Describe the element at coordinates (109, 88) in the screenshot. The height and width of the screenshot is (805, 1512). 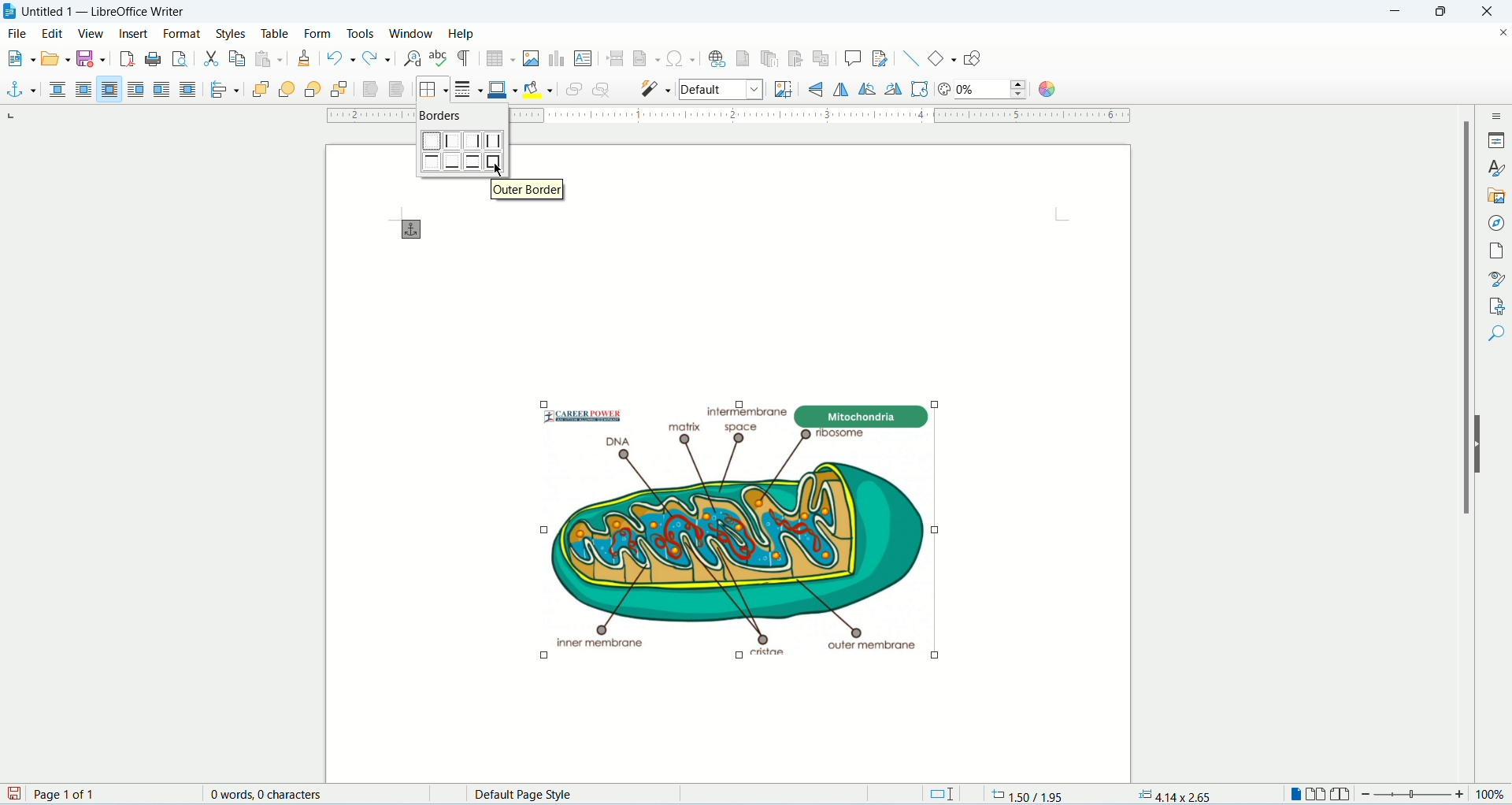
I see `optimal` at that location.